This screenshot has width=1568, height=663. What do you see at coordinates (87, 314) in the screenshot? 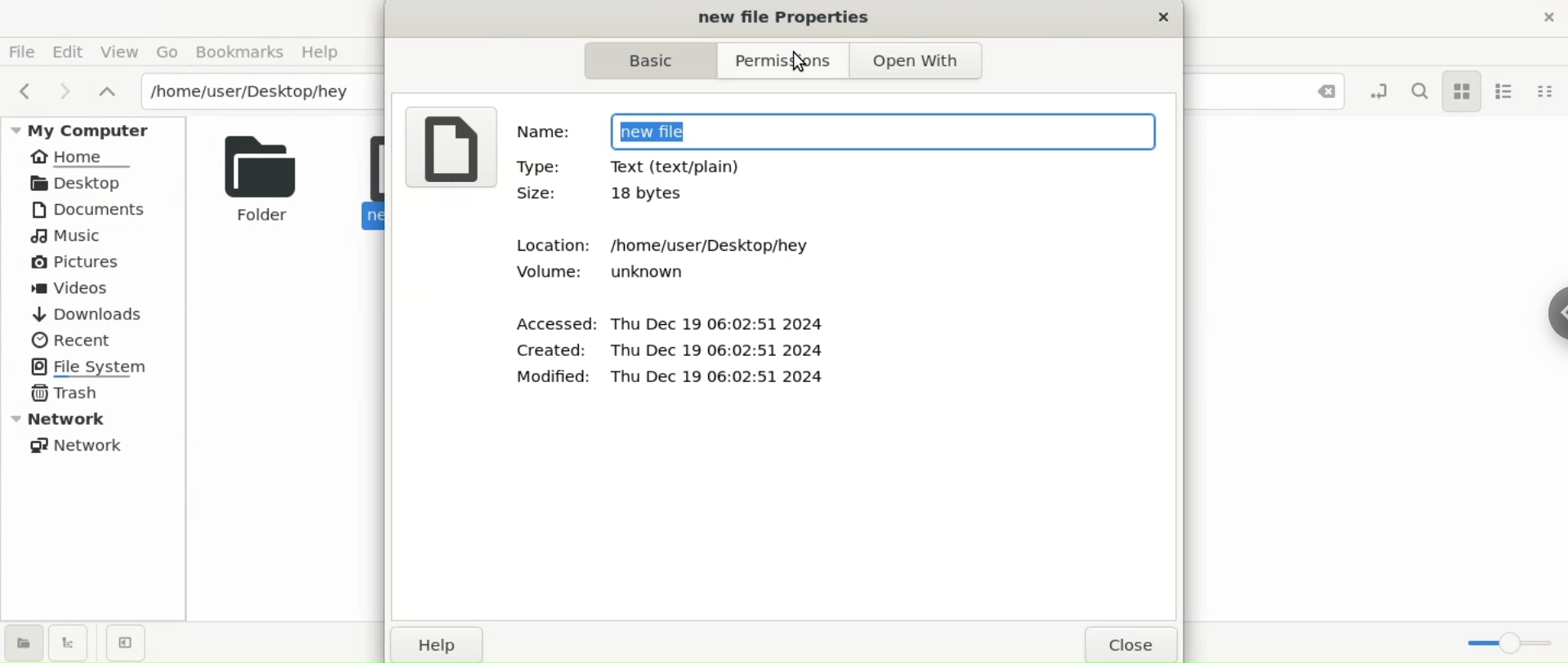
I see `Downloads` at bounding box center [87, 314].